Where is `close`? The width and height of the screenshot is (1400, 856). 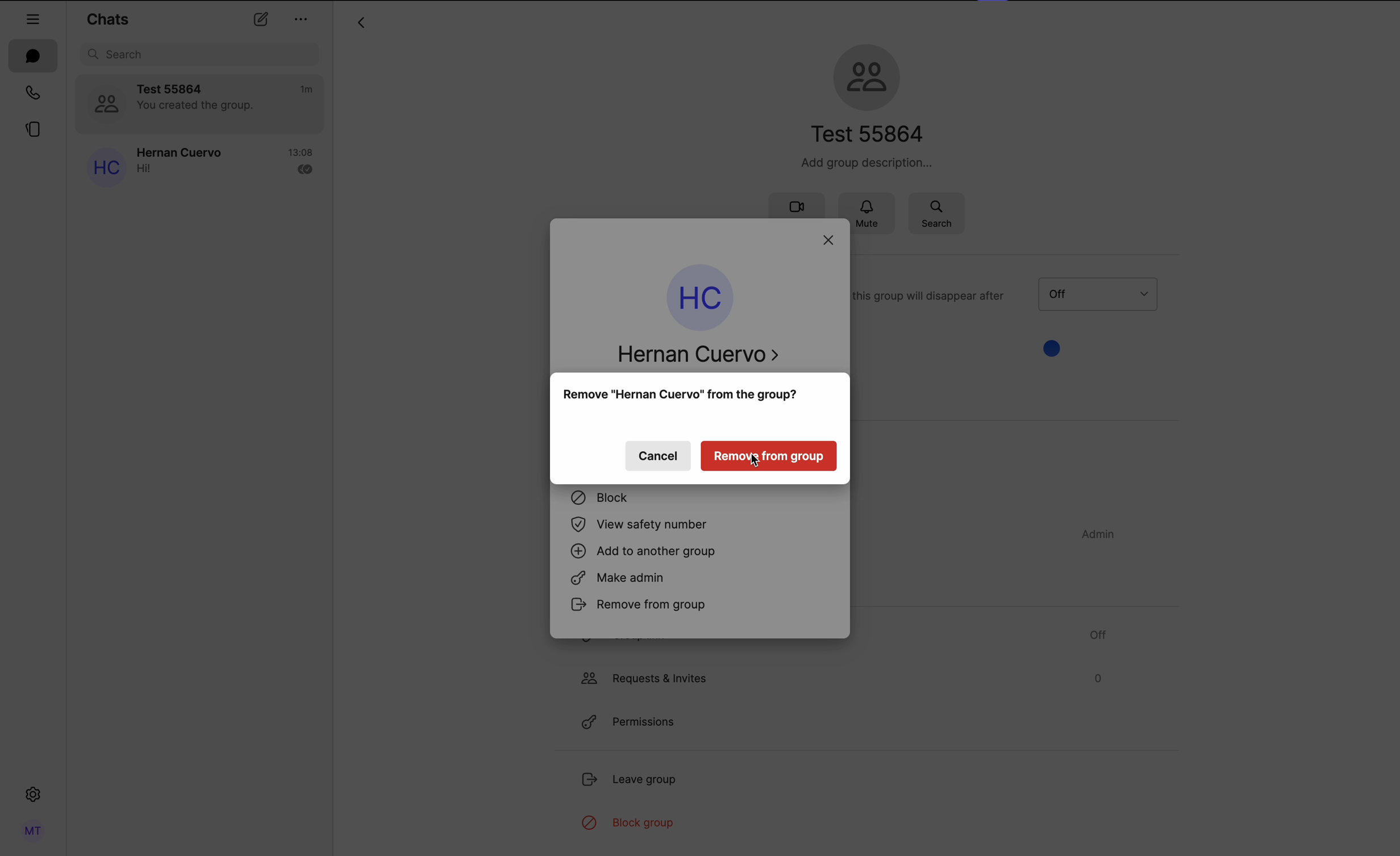
close is located at coordinates (830, 241).